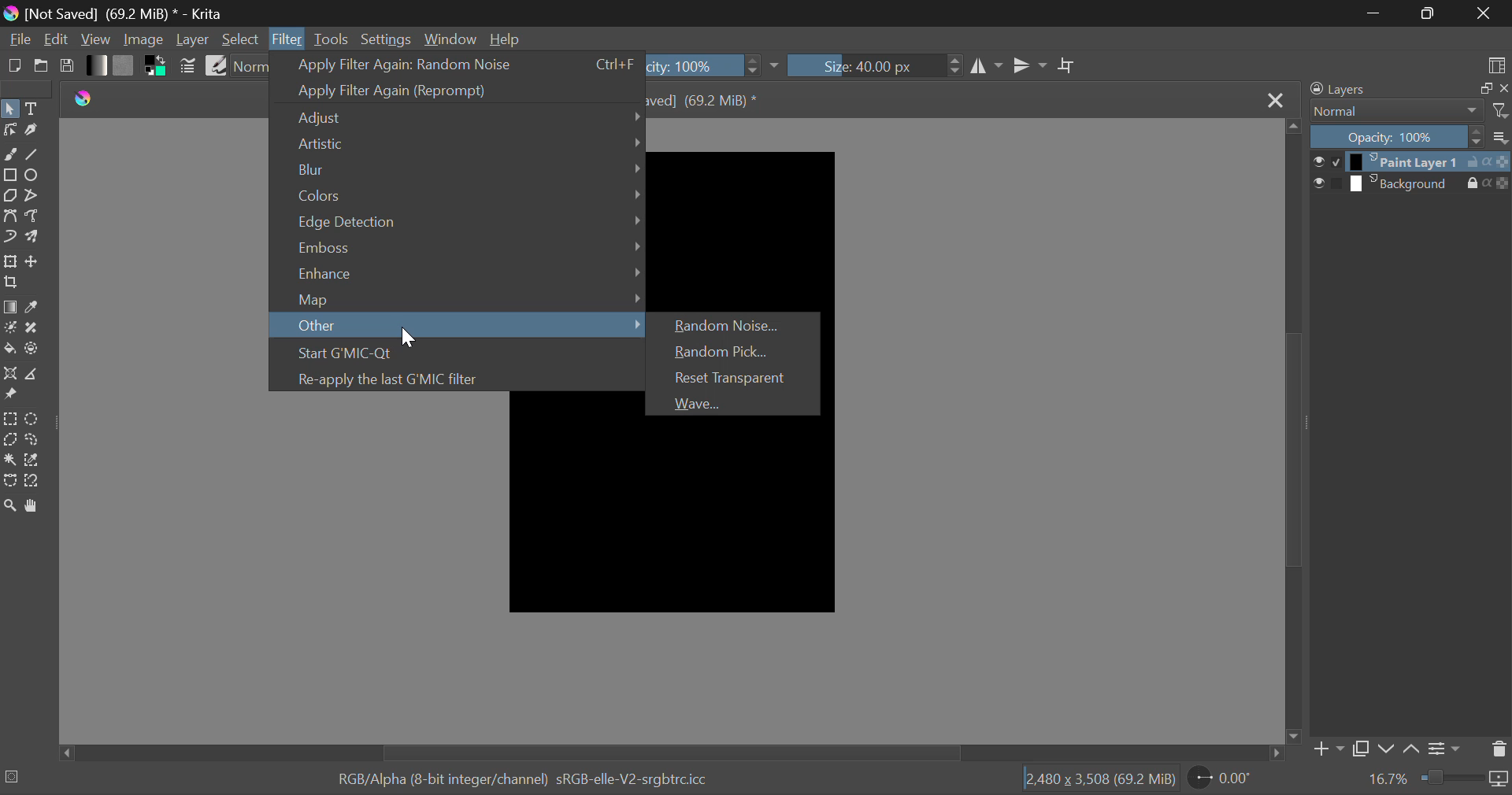 The height and width of the screenshot is (795, 1512). What do you see at coordinates (1394, 111) in the screenshot?
I see `Blending Mode` at bounding box center [1394, 111].